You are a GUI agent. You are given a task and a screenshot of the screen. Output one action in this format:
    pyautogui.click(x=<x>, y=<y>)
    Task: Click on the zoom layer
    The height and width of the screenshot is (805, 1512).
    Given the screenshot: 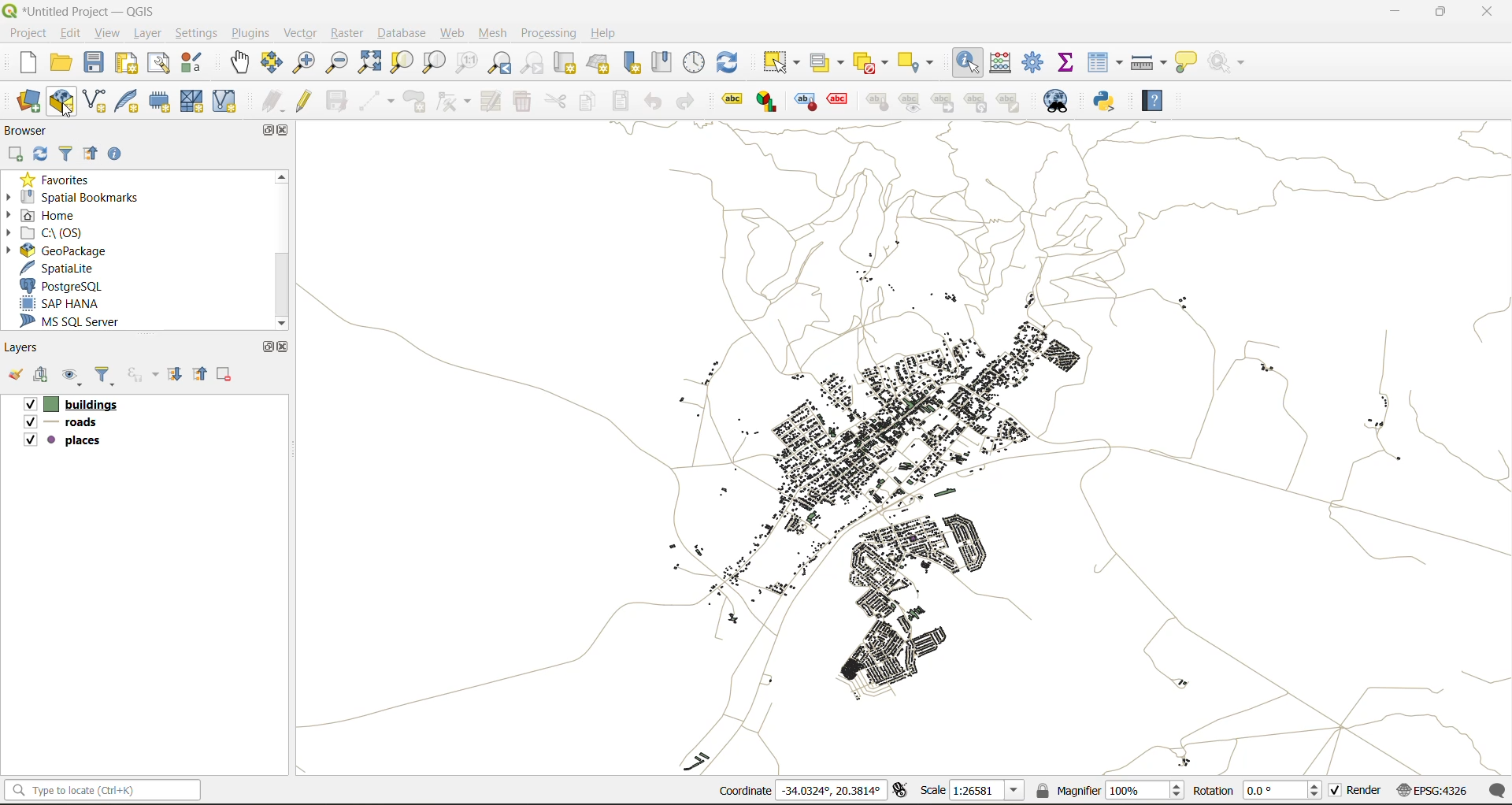 What is the action you would take?
    pyautogui.click(x=434, y=63)
    